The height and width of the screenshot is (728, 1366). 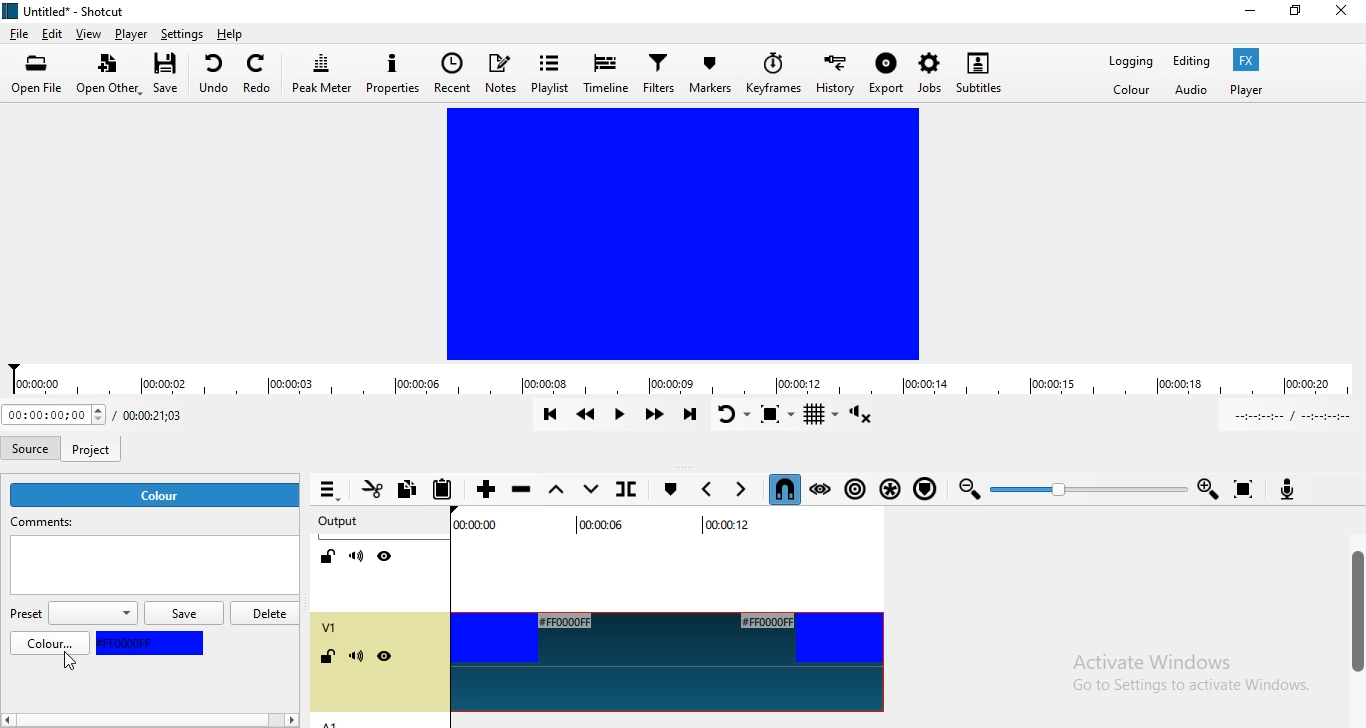 What do you see at coordinates (1346, 12) in the screenshot?
I see `close` at bounding box center [1346, 12].